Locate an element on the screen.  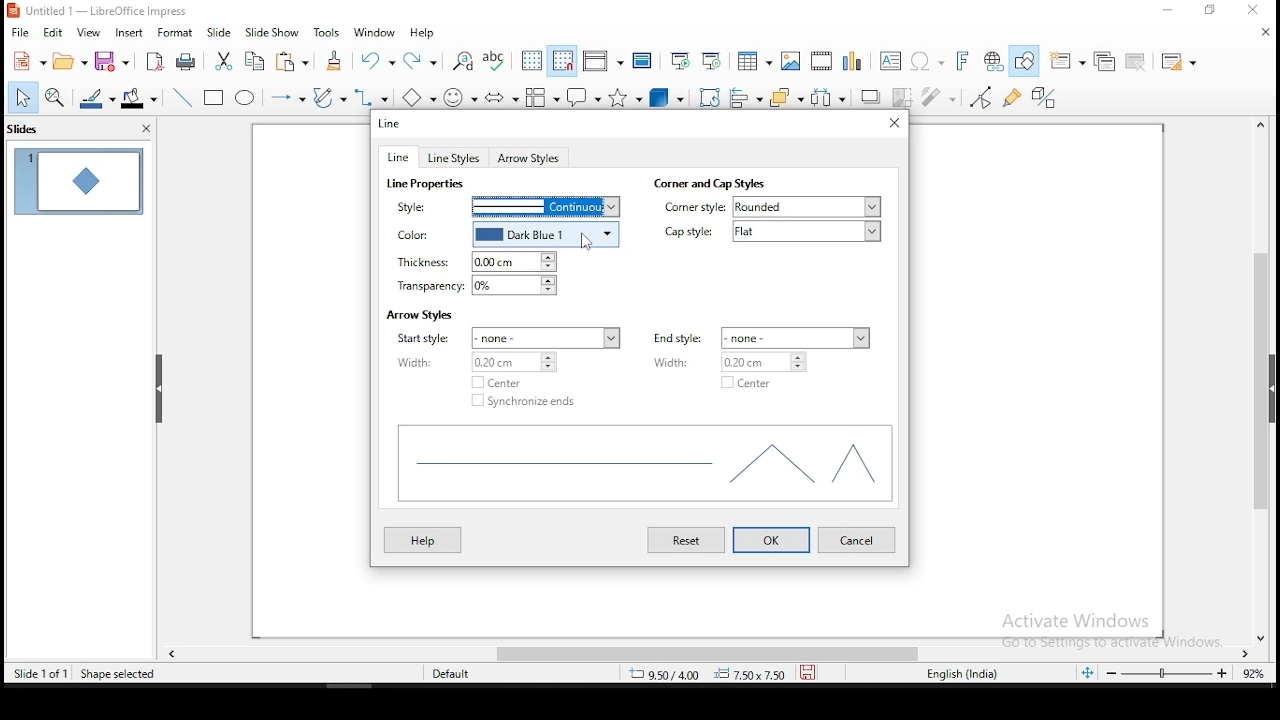
continuous  is located at coordinates (546, 205).